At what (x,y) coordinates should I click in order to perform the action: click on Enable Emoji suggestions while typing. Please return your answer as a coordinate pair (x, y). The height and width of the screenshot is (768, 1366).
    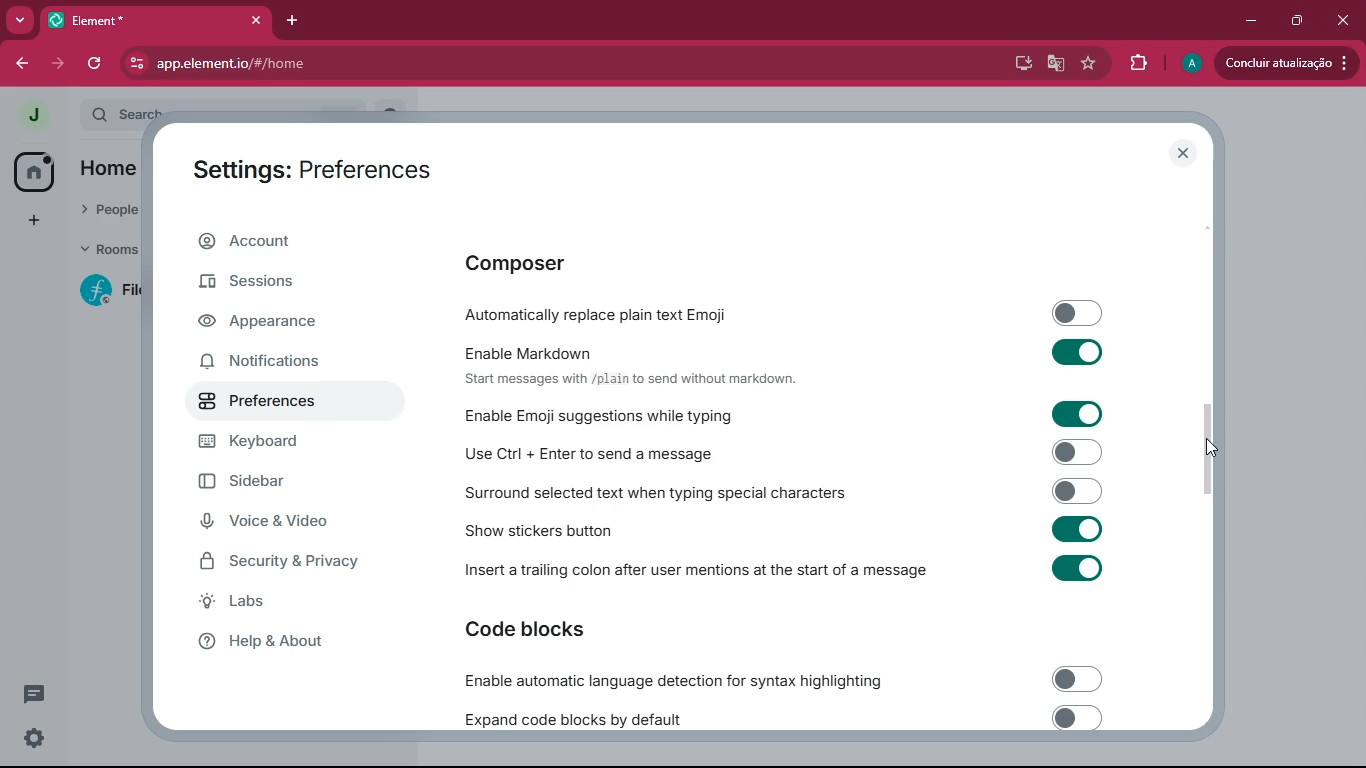
    Looking at the image, I should click on (793, 412).